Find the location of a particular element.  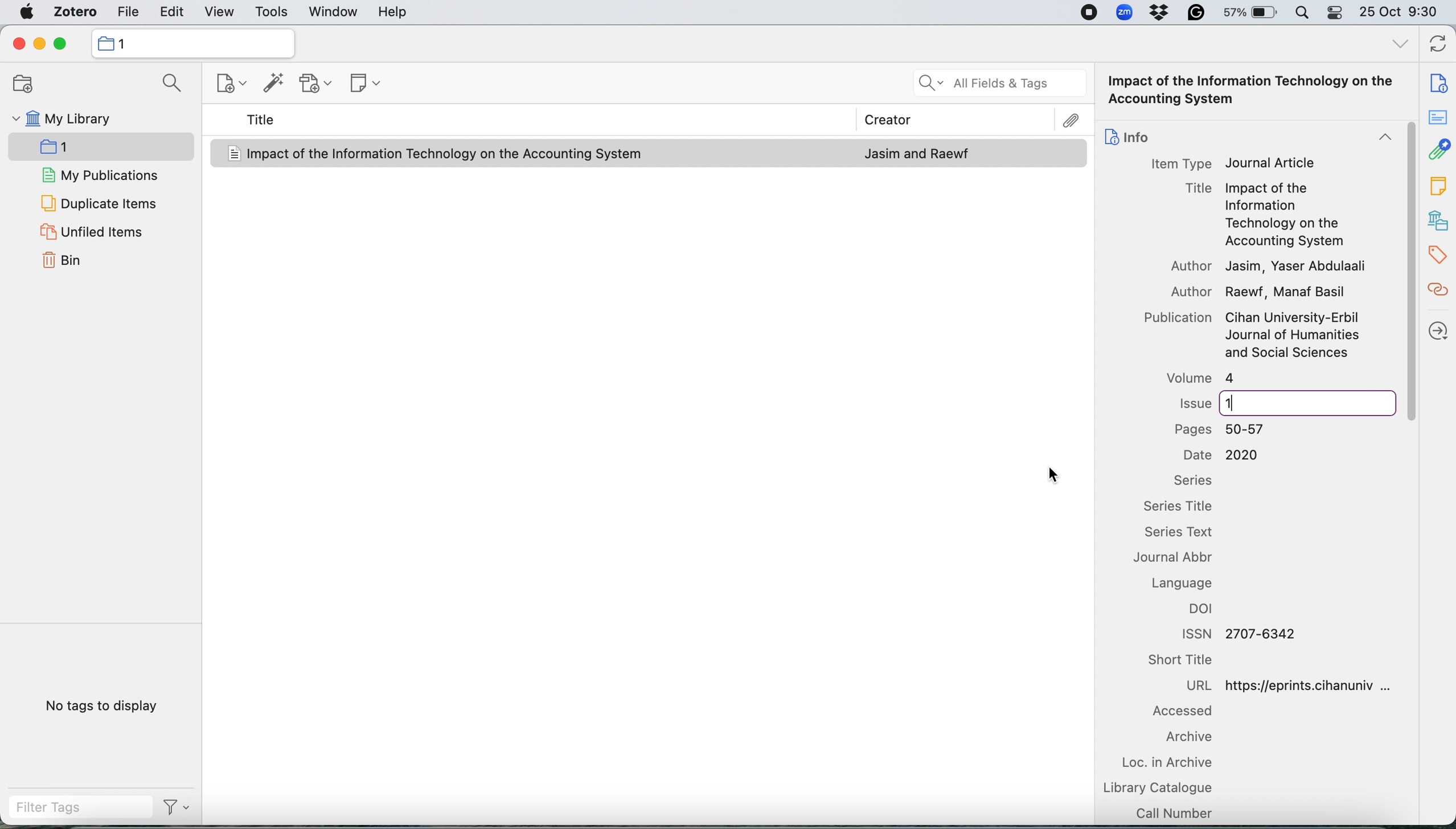

grammarly is located at coordinates (1199, 14).